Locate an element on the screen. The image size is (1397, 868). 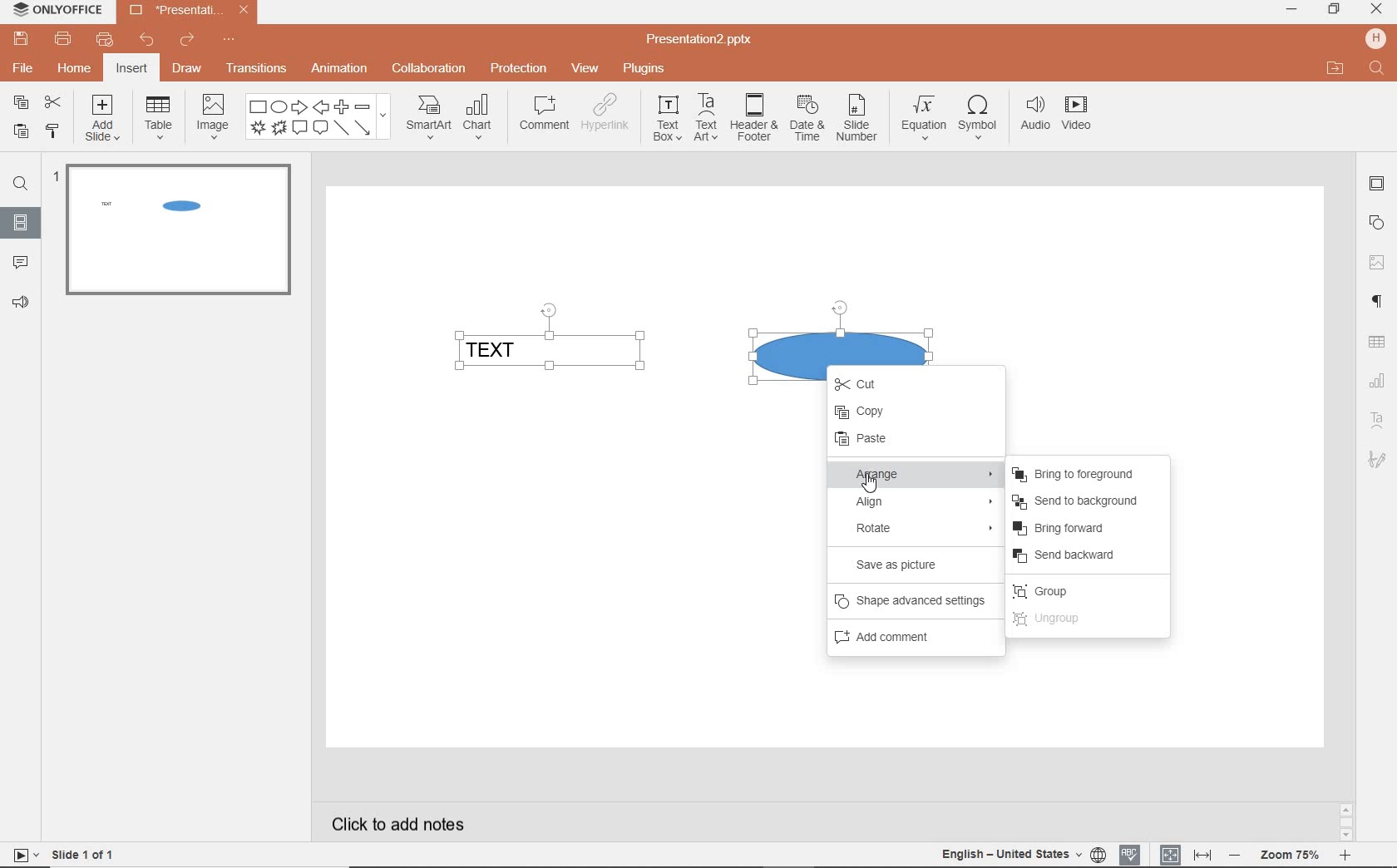
SLIDE SETTINGS is located at coordinates (1377, 185).